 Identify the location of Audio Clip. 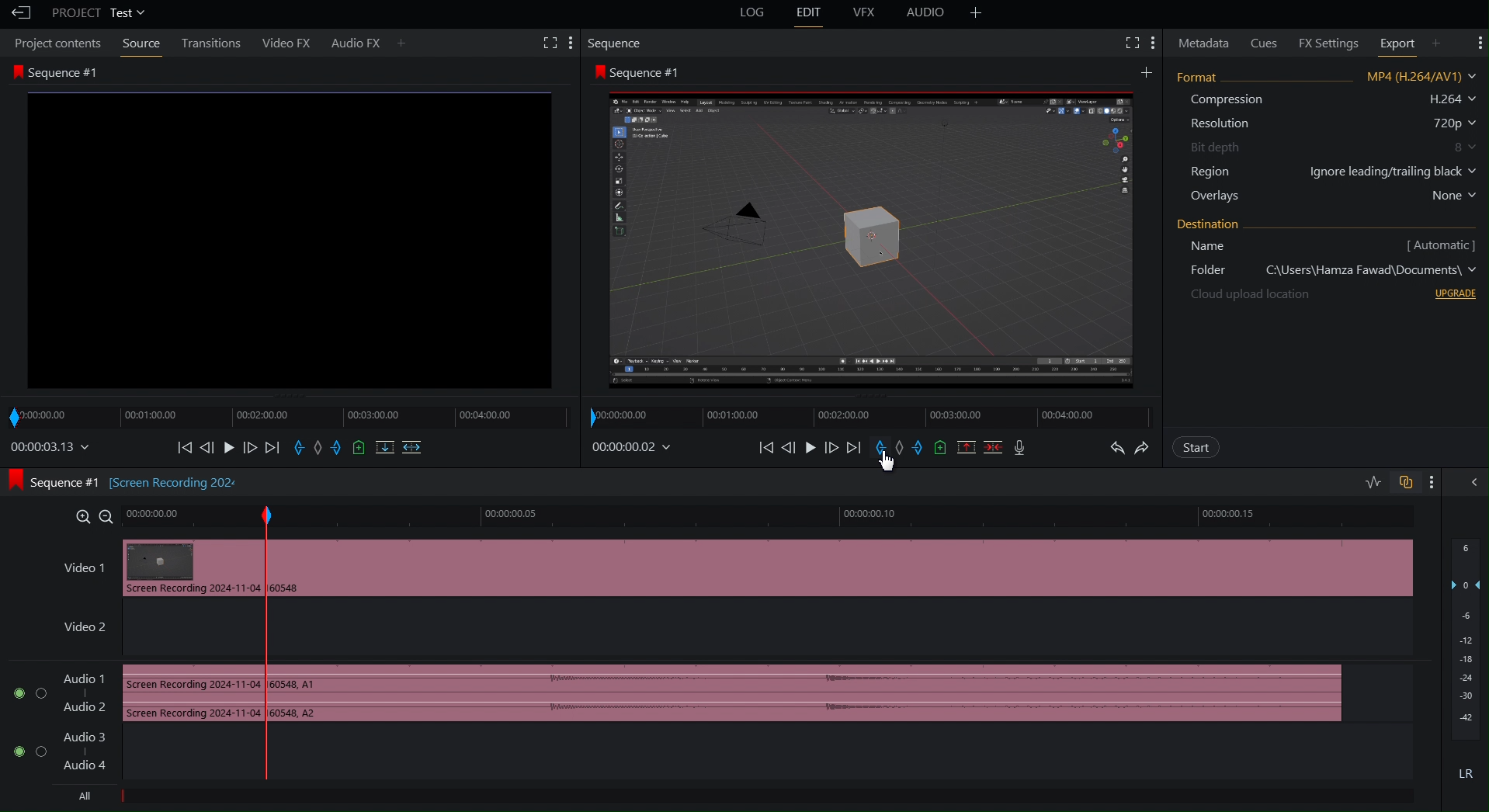
(831, 692).